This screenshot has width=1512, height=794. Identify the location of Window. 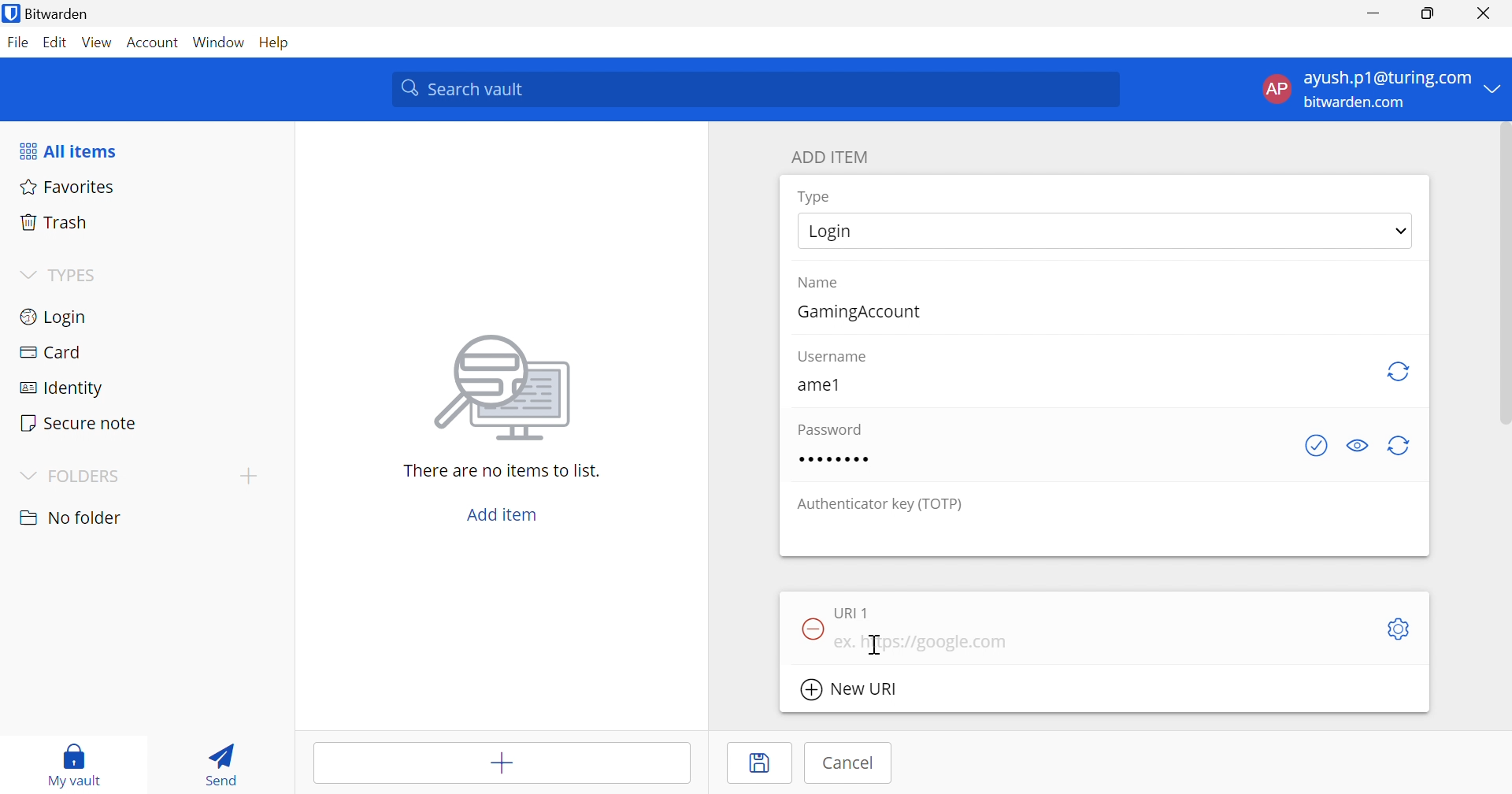
(218, 43).